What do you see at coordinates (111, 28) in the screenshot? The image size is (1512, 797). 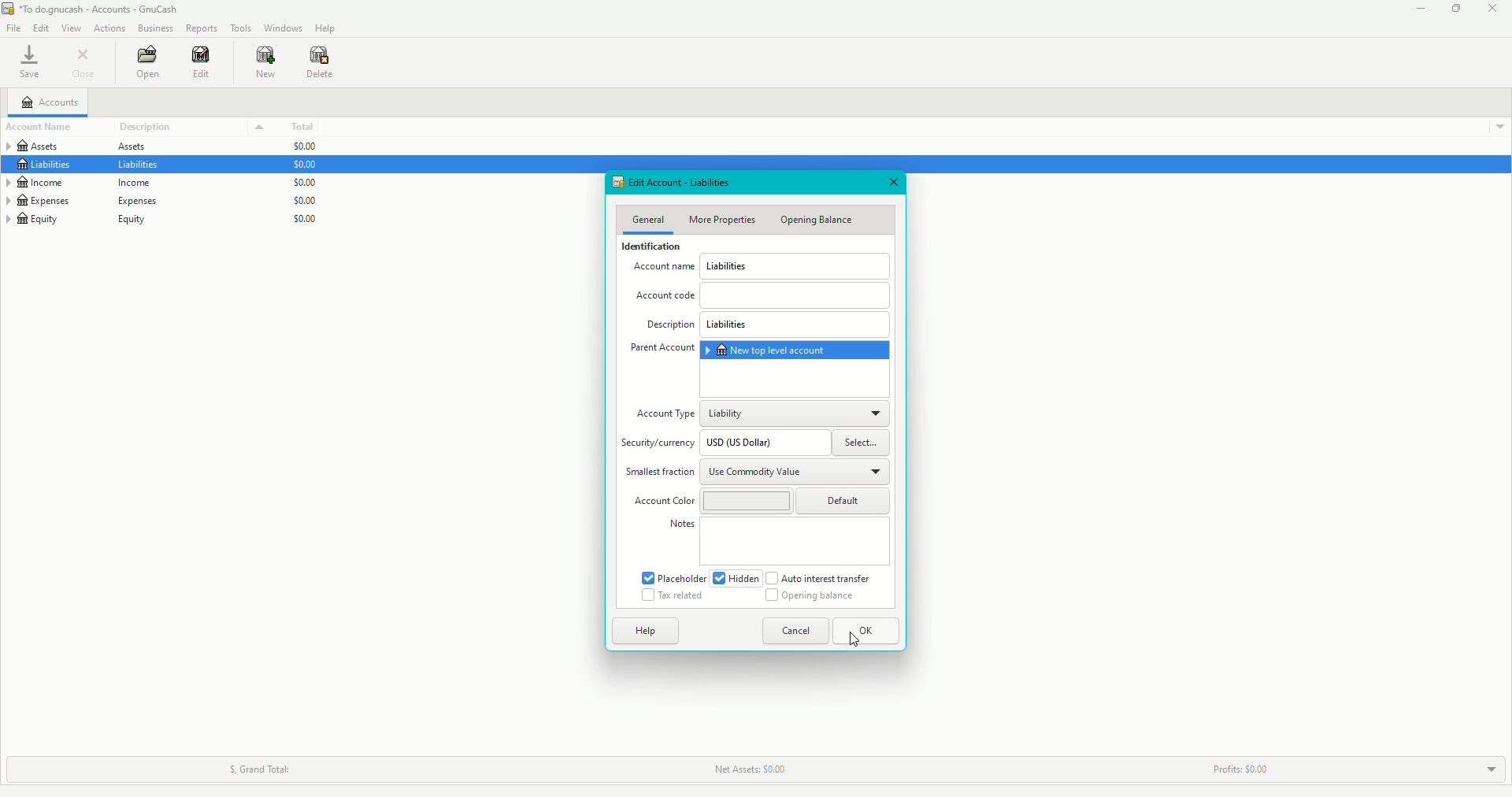 I see `Actions` at bounding box center [111, 28].